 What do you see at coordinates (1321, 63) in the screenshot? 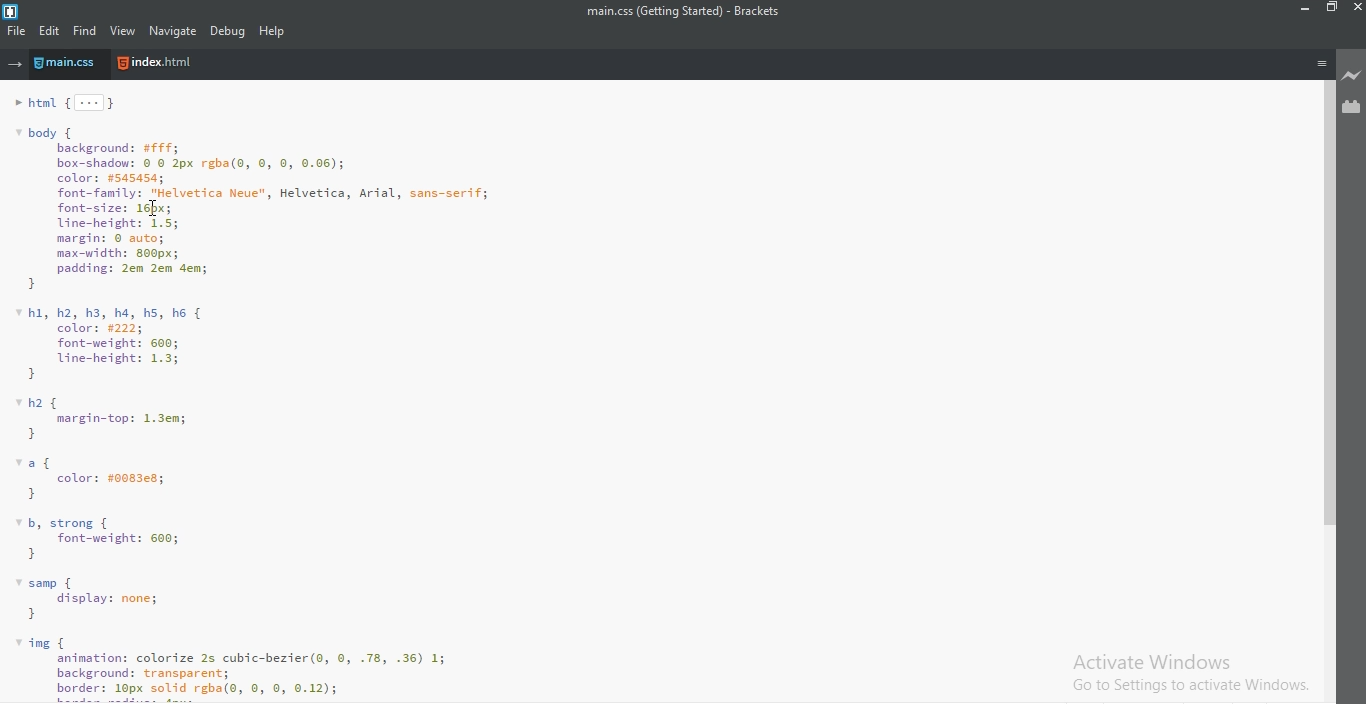
I see `menu` at bounding box center [1321, 63].